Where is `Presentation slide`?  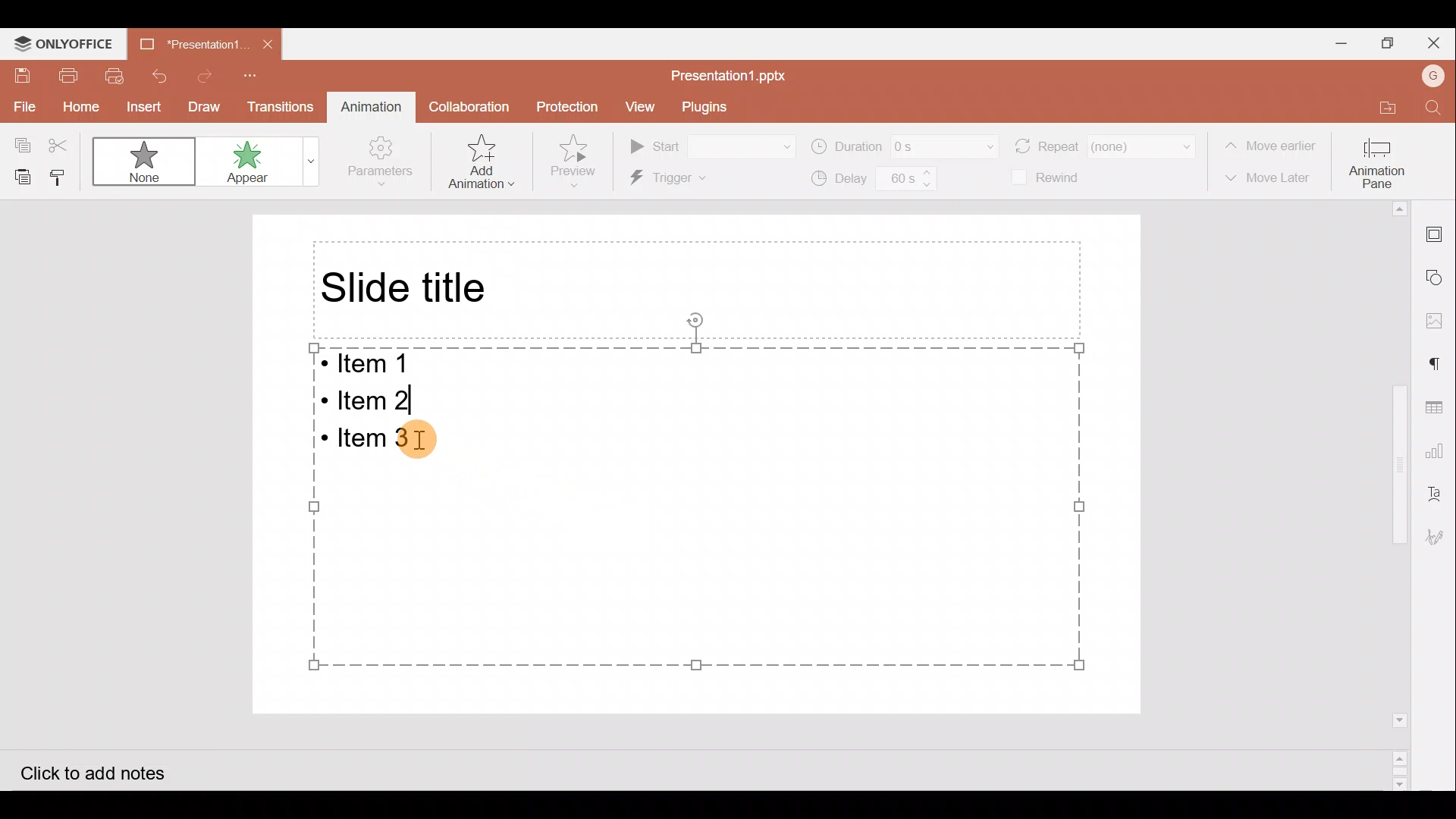 Presentation slide is located at coordinates (804, 453).